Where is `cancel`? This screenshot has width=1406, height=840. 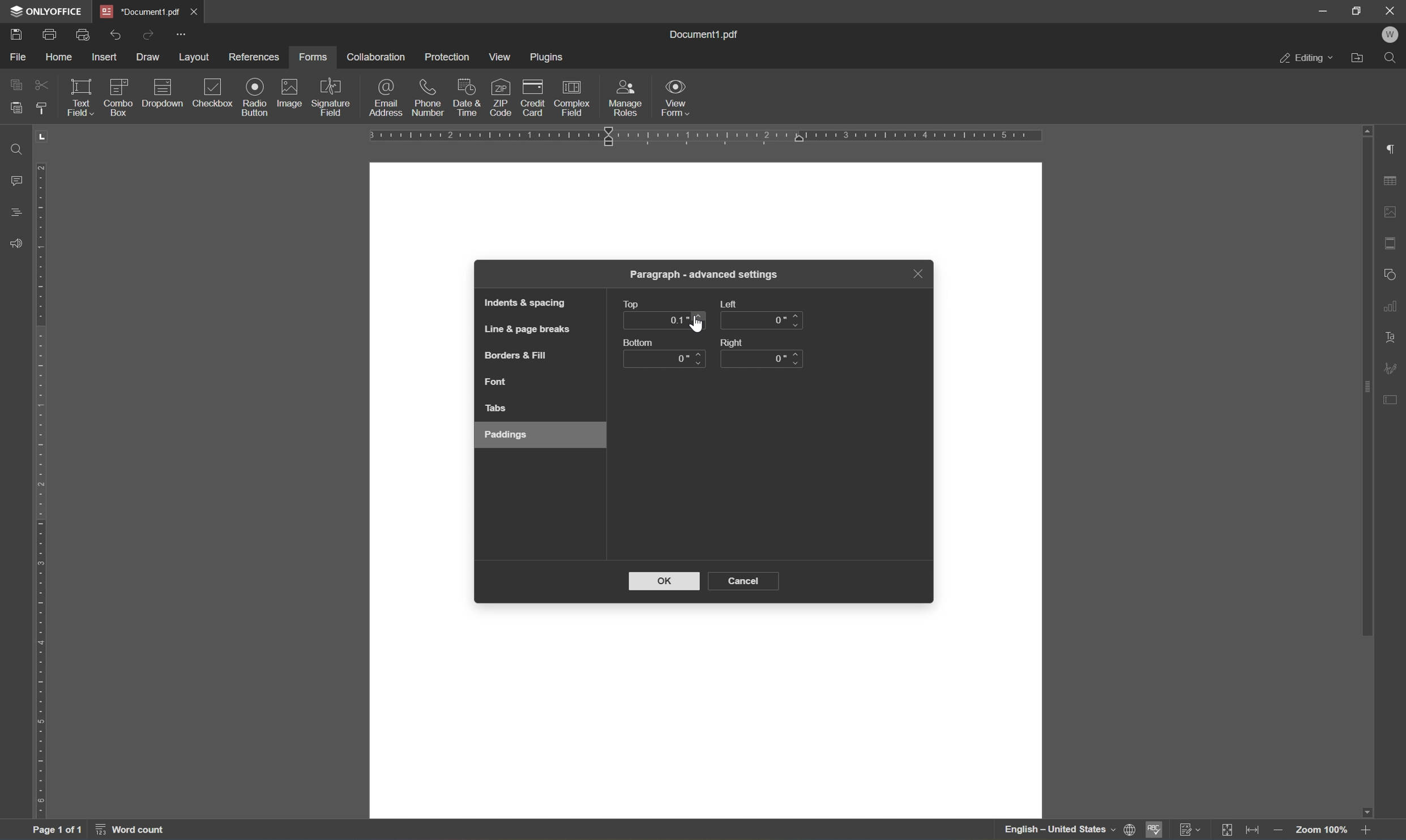
cancel is located at coordinates (748, 580).